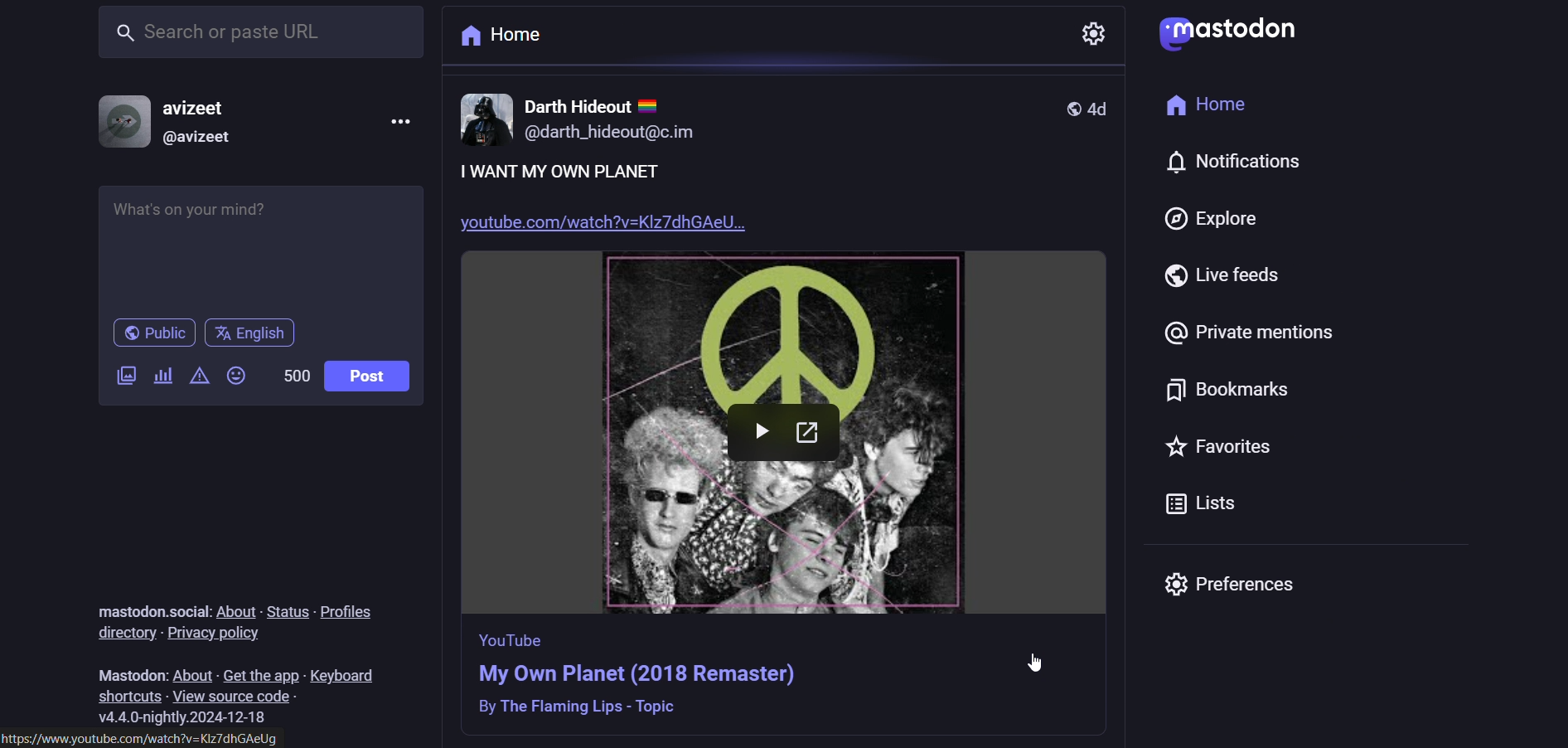 The height and width of the screenshot is (748, 1568). Describe the element at coordinates (1217, 221) in the screenshot. I see `explore` at that location.